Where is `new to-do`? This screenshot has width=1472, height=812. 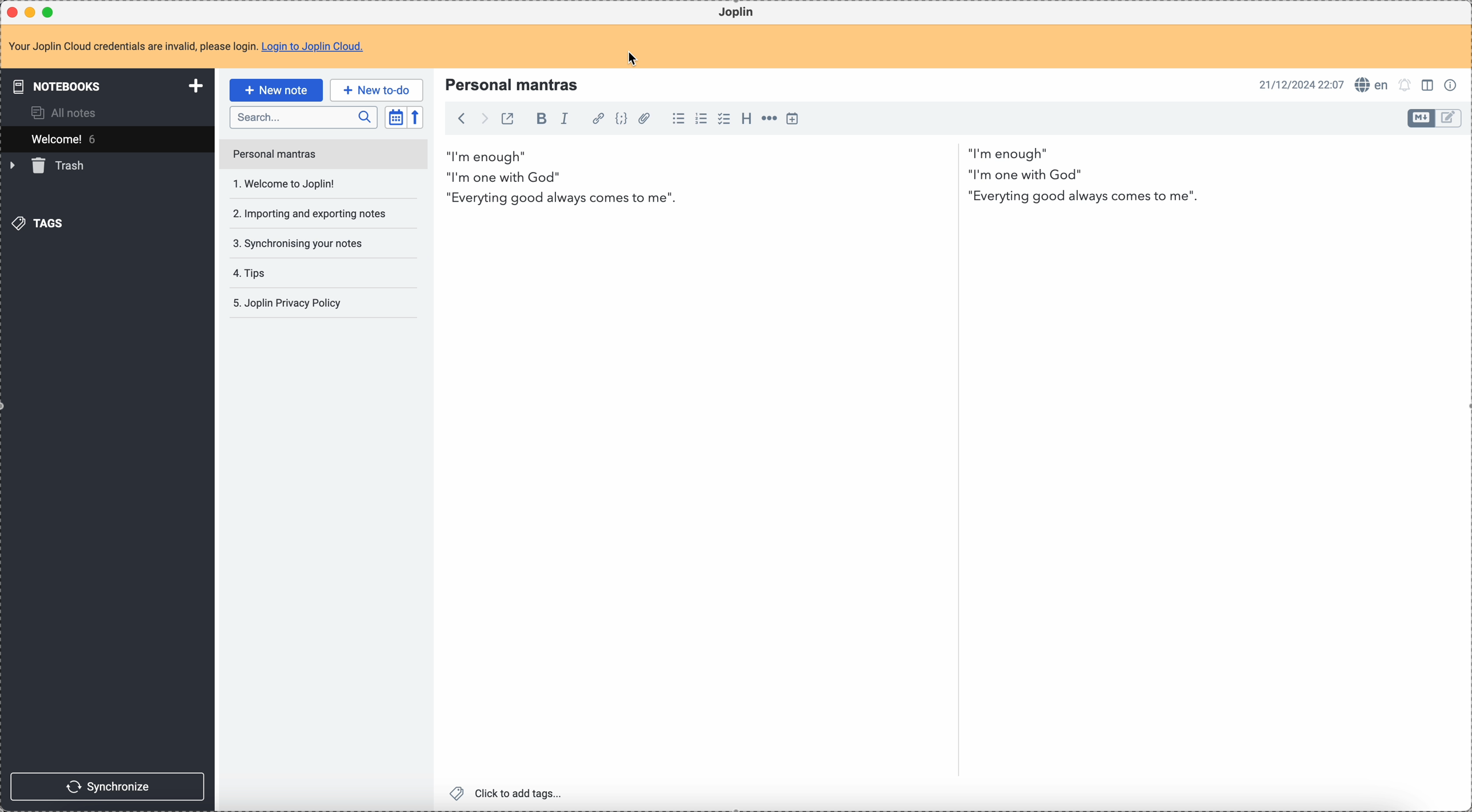 new to-do is located at coordinates (375, 87).